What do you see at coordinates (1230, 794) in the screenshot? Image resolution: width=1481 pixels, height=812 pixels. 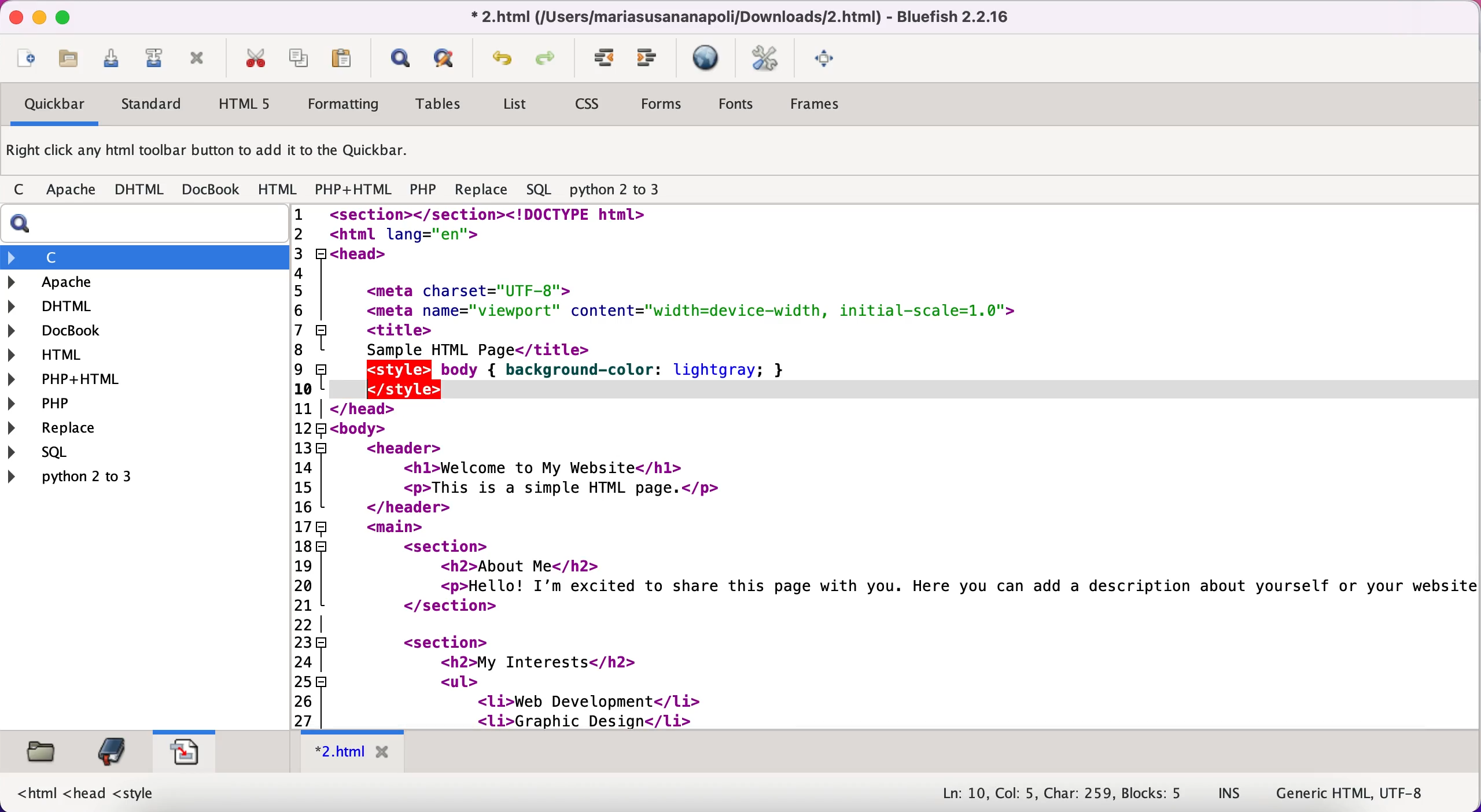 I see `ins` at bounding box center [1230, 794].